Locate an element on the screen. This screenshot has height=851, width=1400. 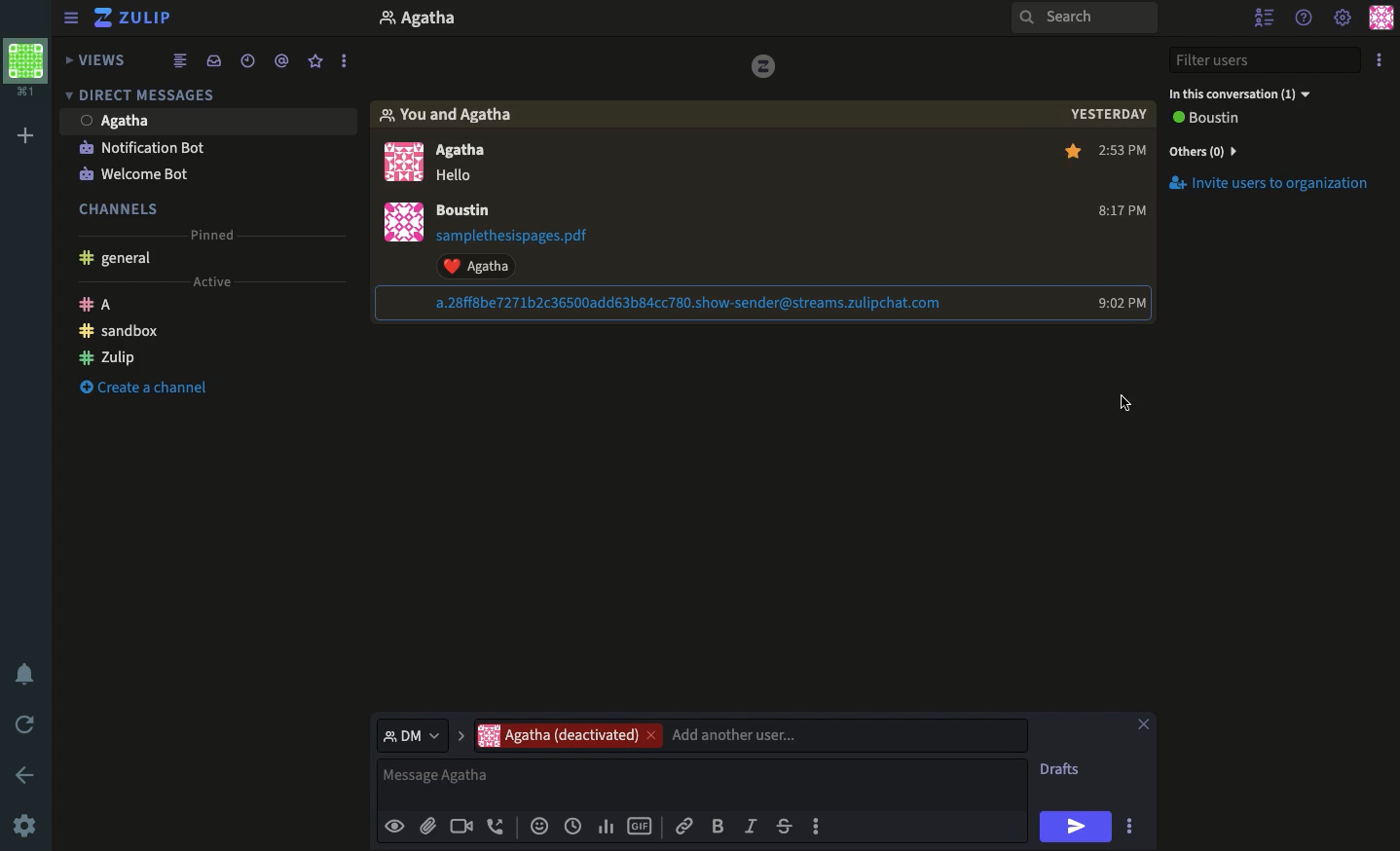
Profiles is located at coordinates (401, 163).